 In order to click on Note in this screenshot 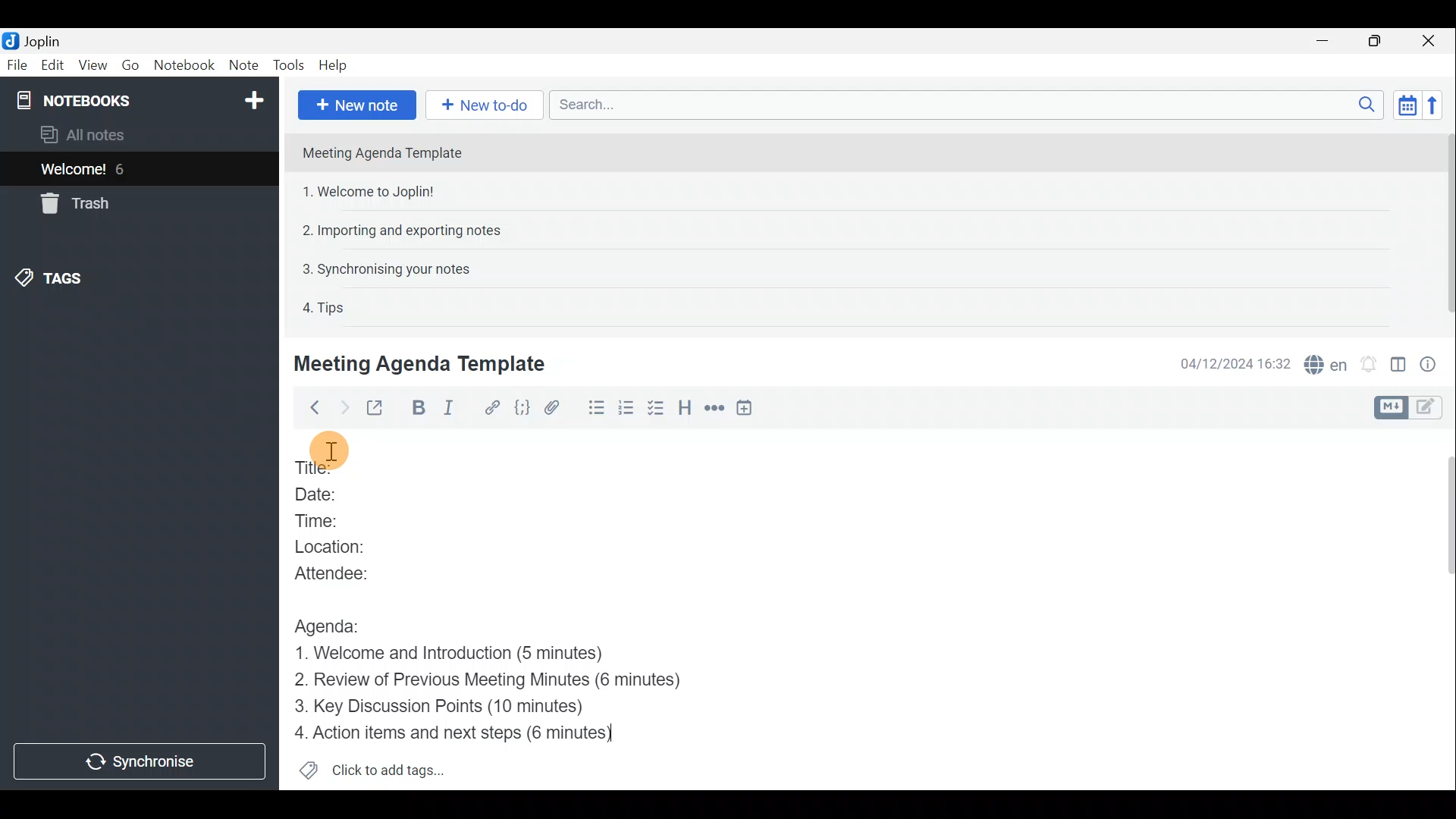, I will do `click(242, 62)`.